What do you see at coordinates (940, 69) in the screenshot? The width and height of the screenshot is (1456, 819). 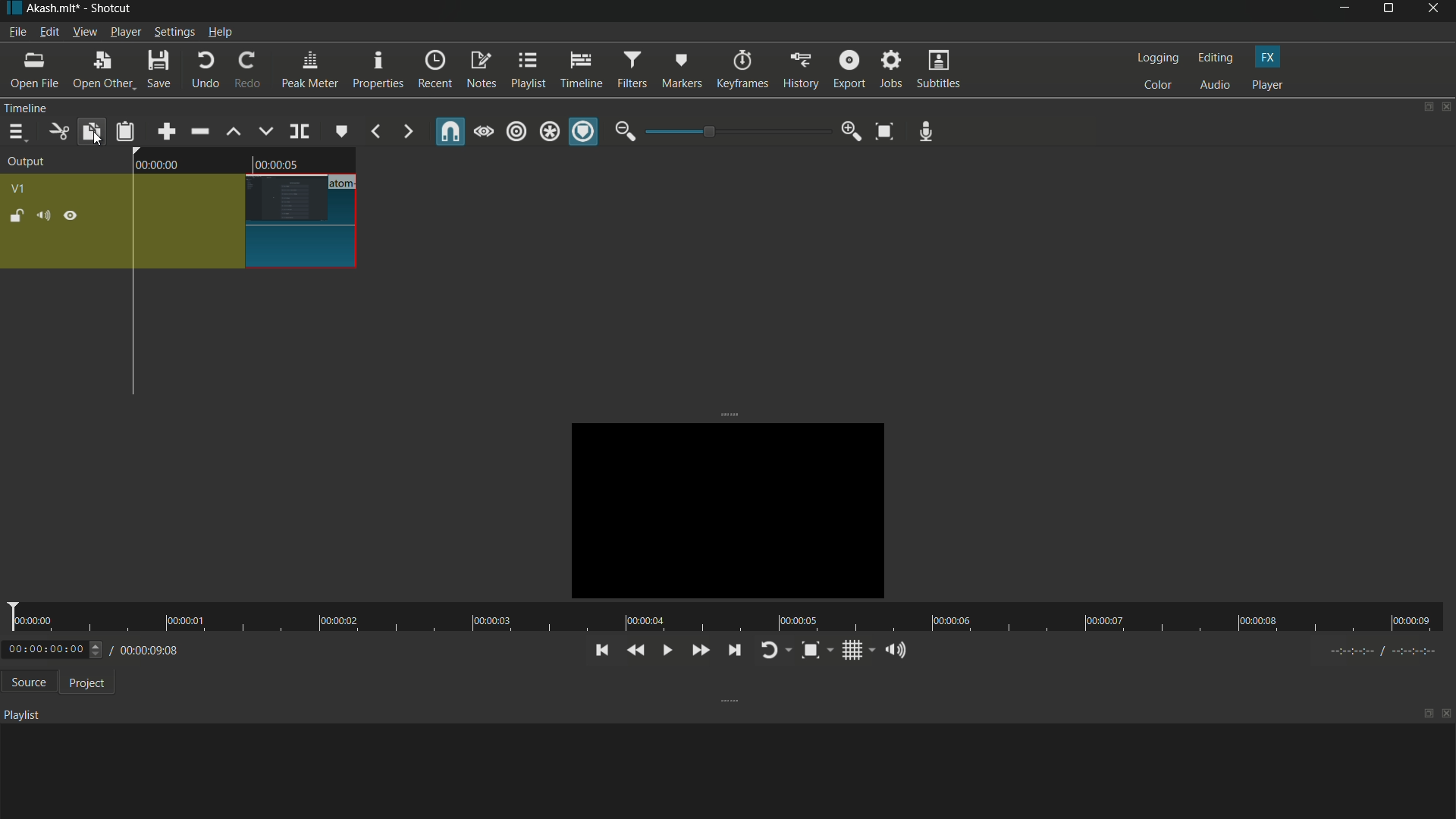 I see `subtitles` at bounding box center [940, 69].